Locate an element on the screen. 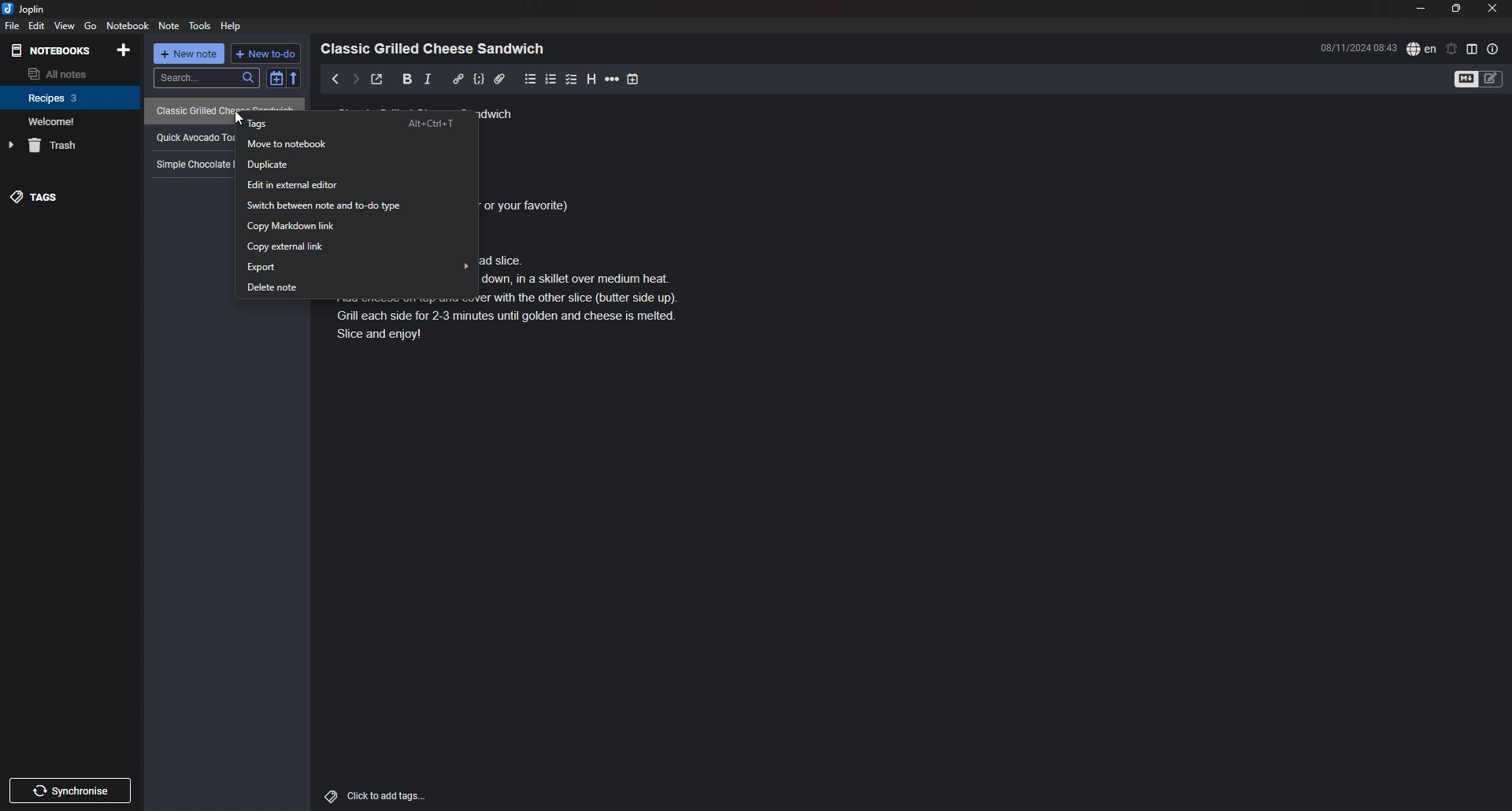 Image resolution: width=1512 pixels, height=811 pixels. previous is located at coordinates (335, 79).